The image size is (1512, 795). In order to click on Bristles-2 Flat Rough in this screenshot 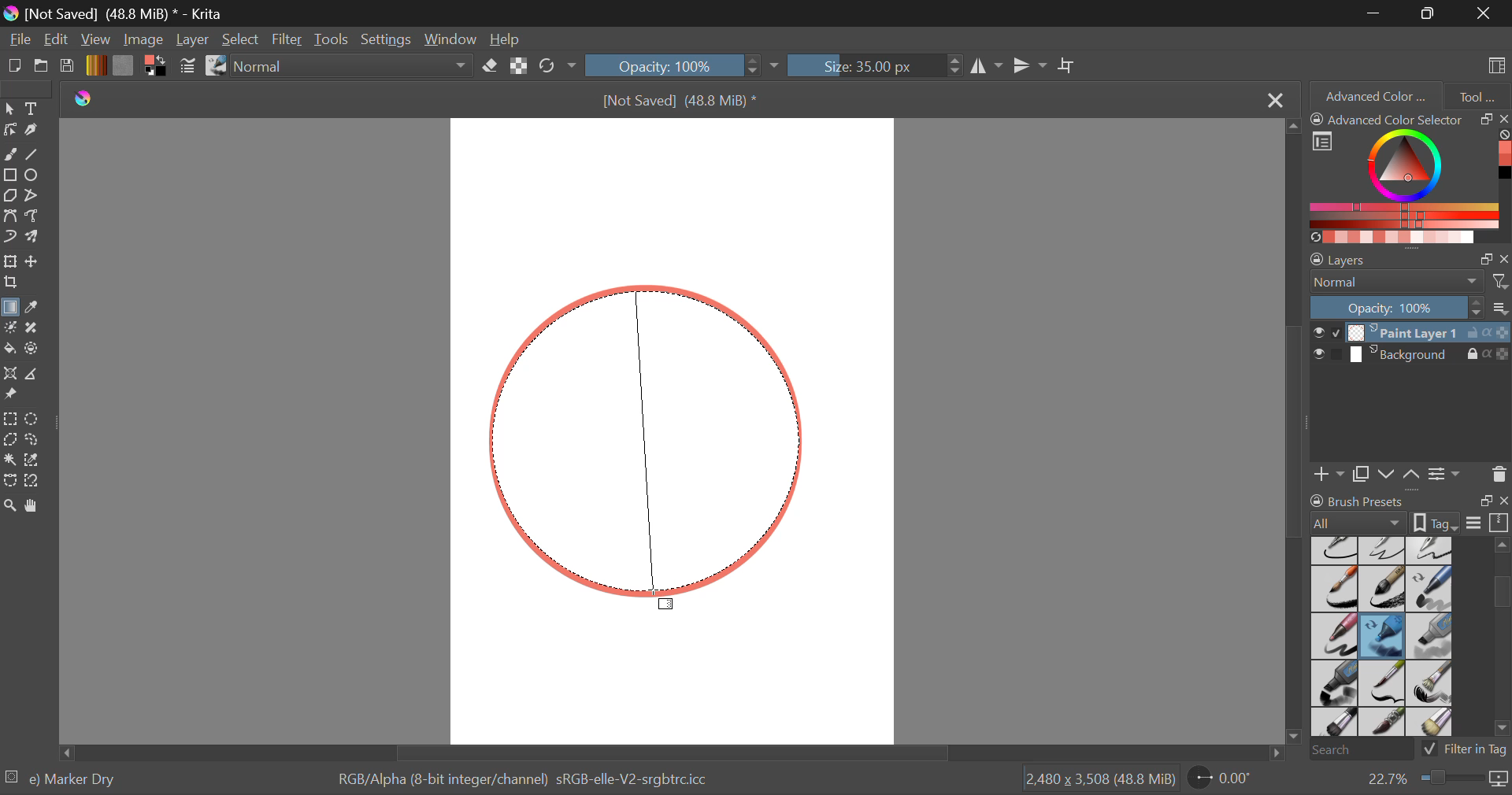, I will do `click(1432, 684)`.